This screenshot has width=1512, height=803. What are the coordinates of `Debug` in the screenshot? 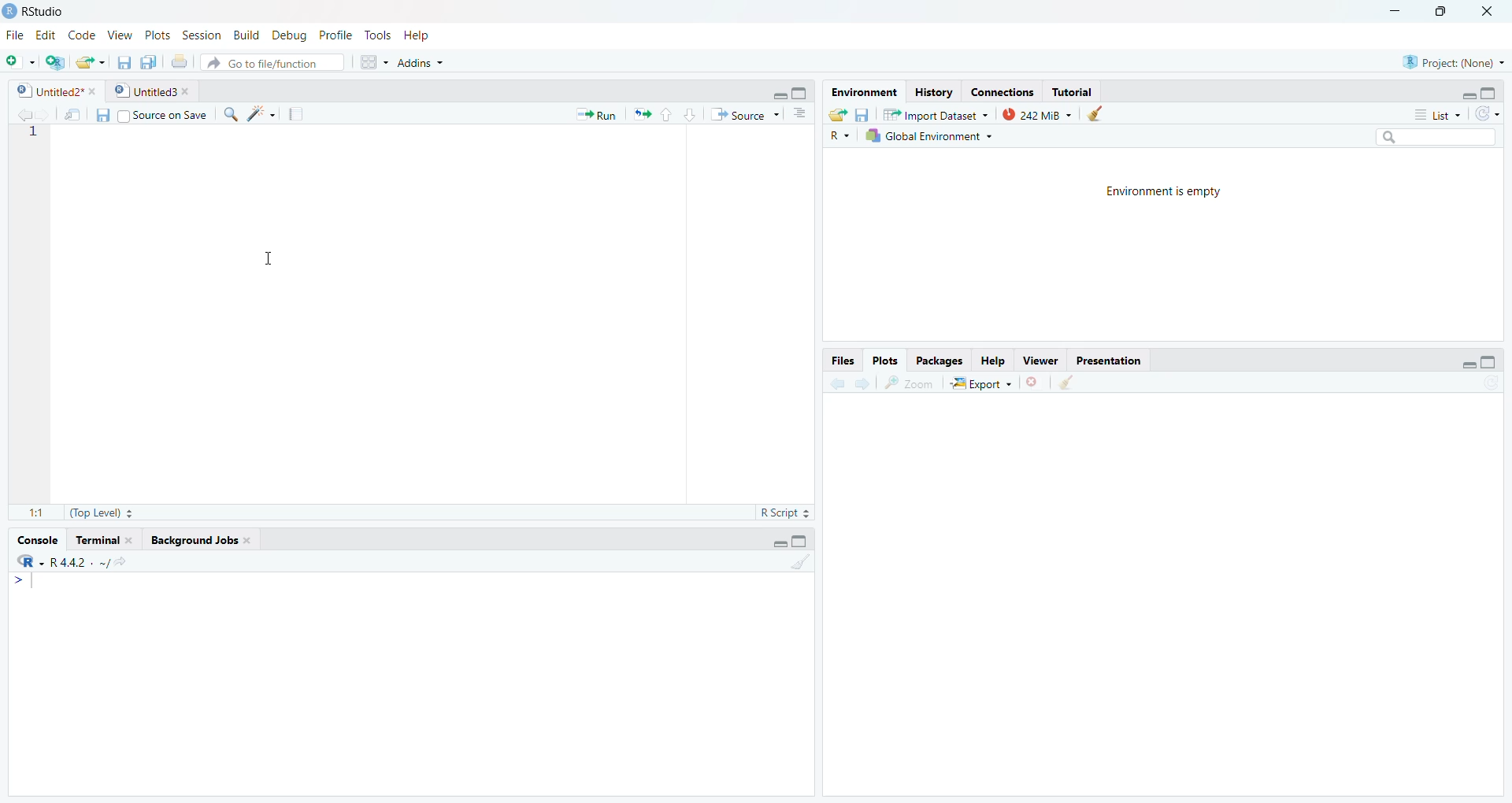 It's located at (291, 35).